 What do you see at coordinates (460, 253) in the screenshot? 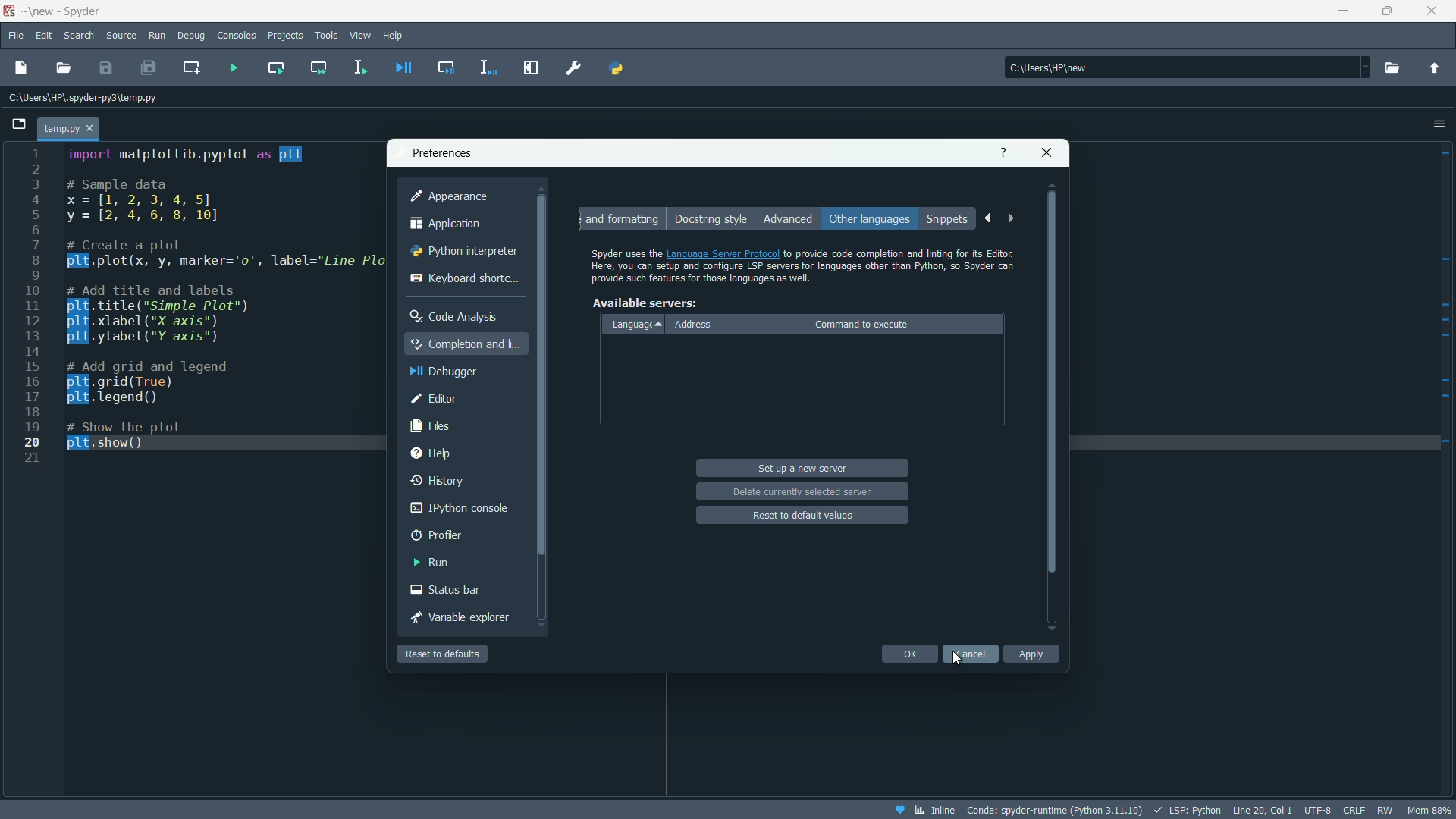
I see `python interpreter` at bounding box center [460, 253].